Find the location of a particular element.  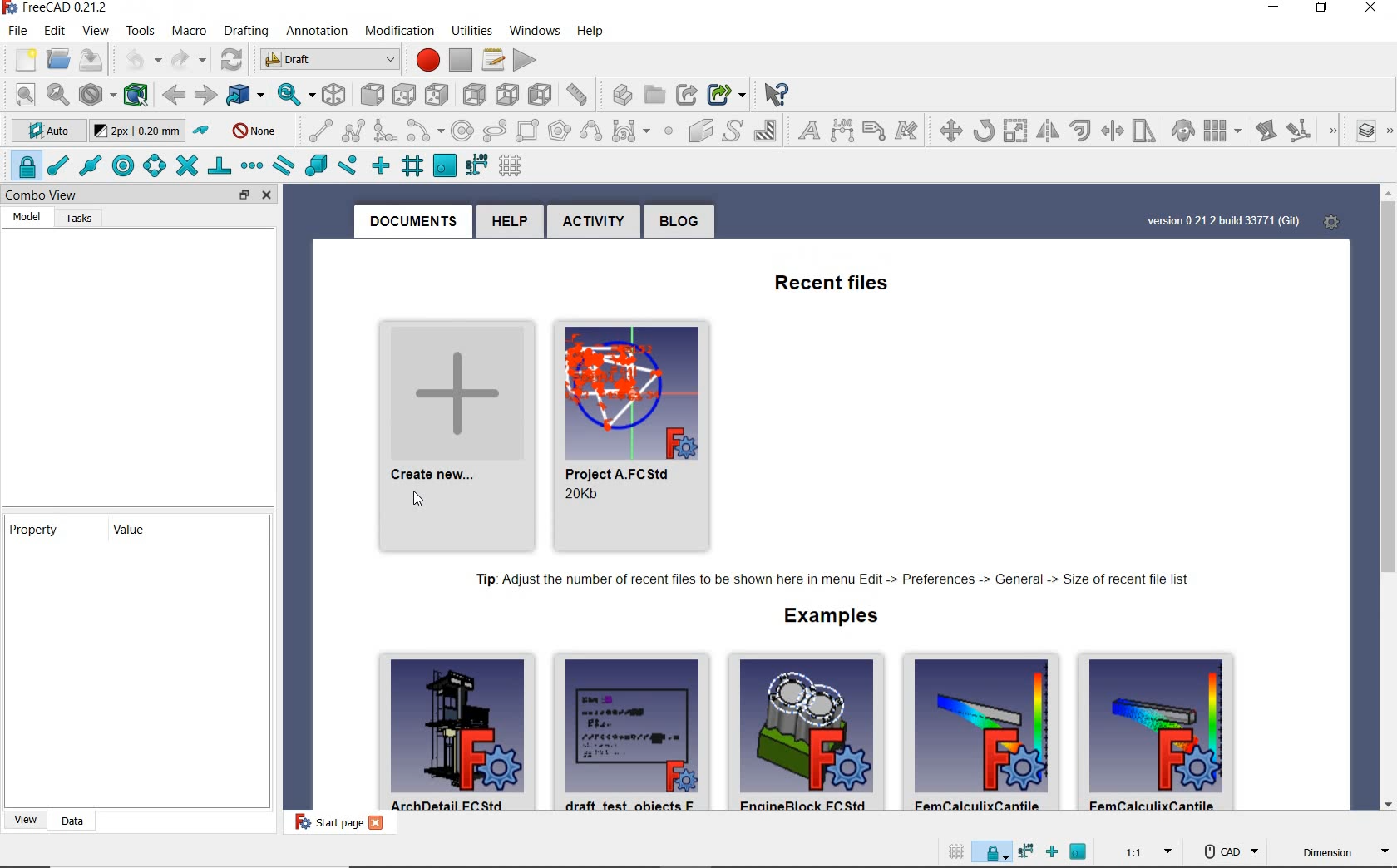

activity is located at coordinates (592, 219).